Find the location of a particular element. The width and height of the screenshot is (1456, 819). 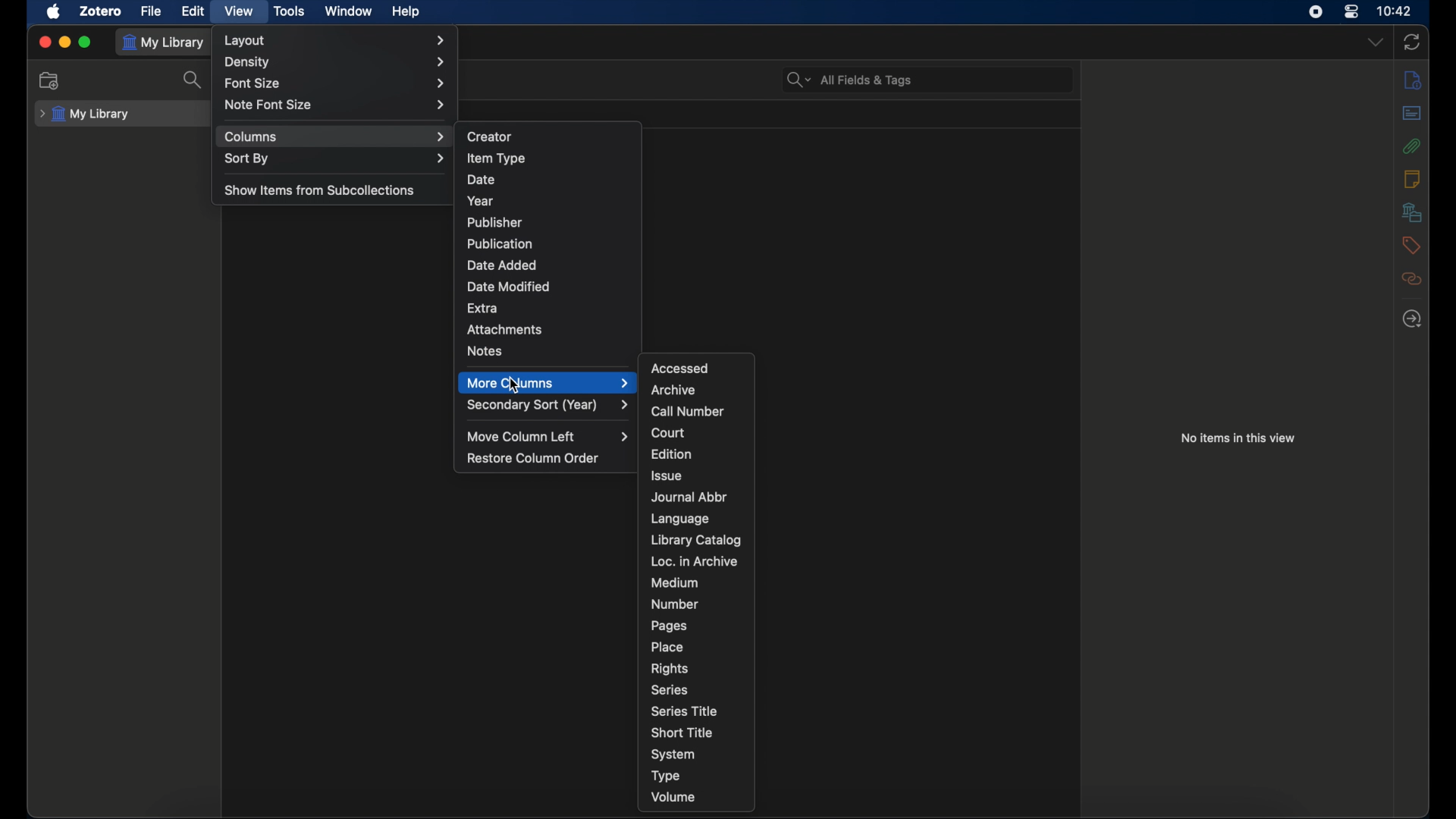

notes is located at coordinates (1412, 179).